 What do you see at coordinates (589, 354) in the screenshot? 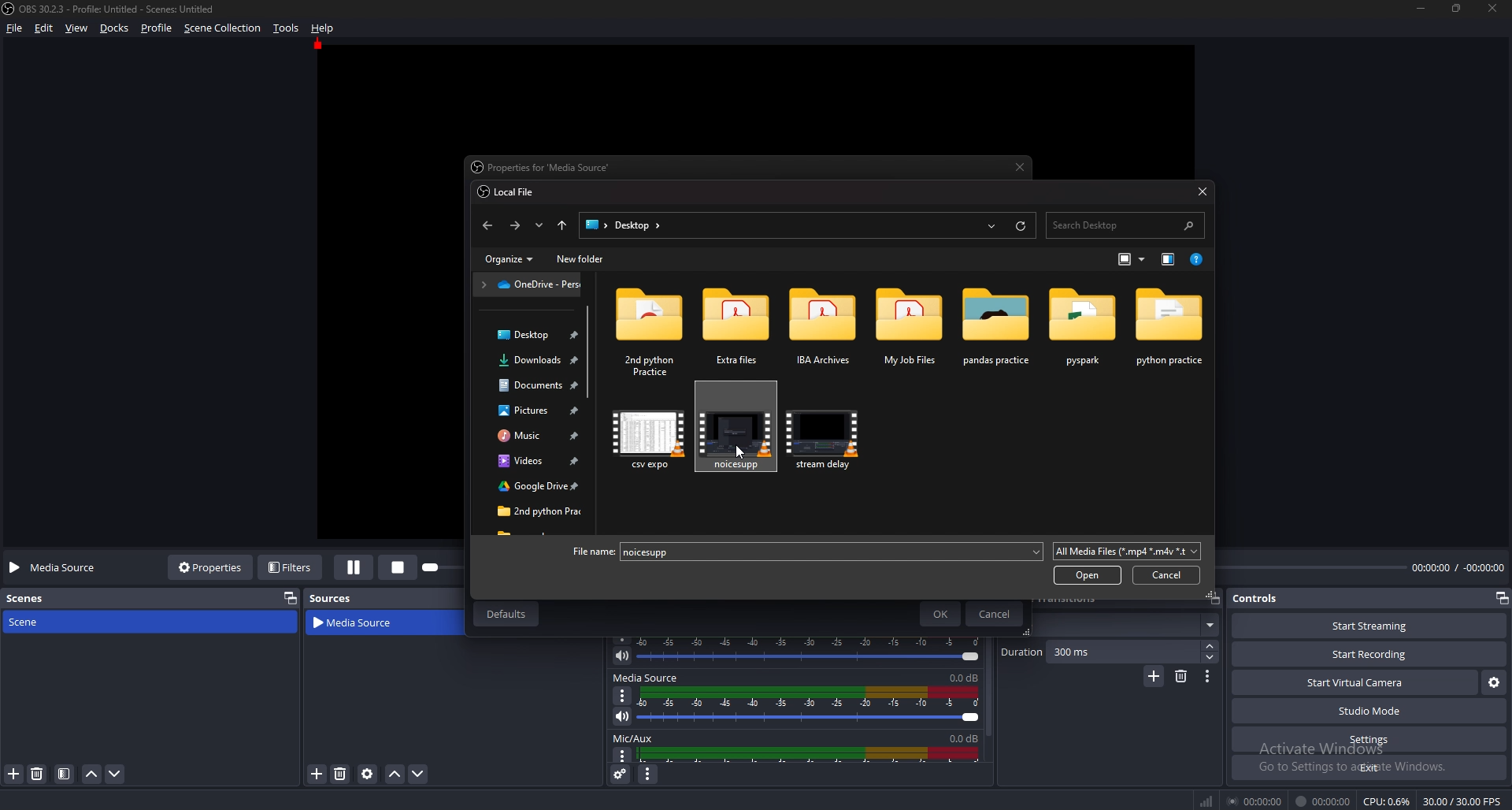
I see `Scroll bar` at bounding box center [589, 354].